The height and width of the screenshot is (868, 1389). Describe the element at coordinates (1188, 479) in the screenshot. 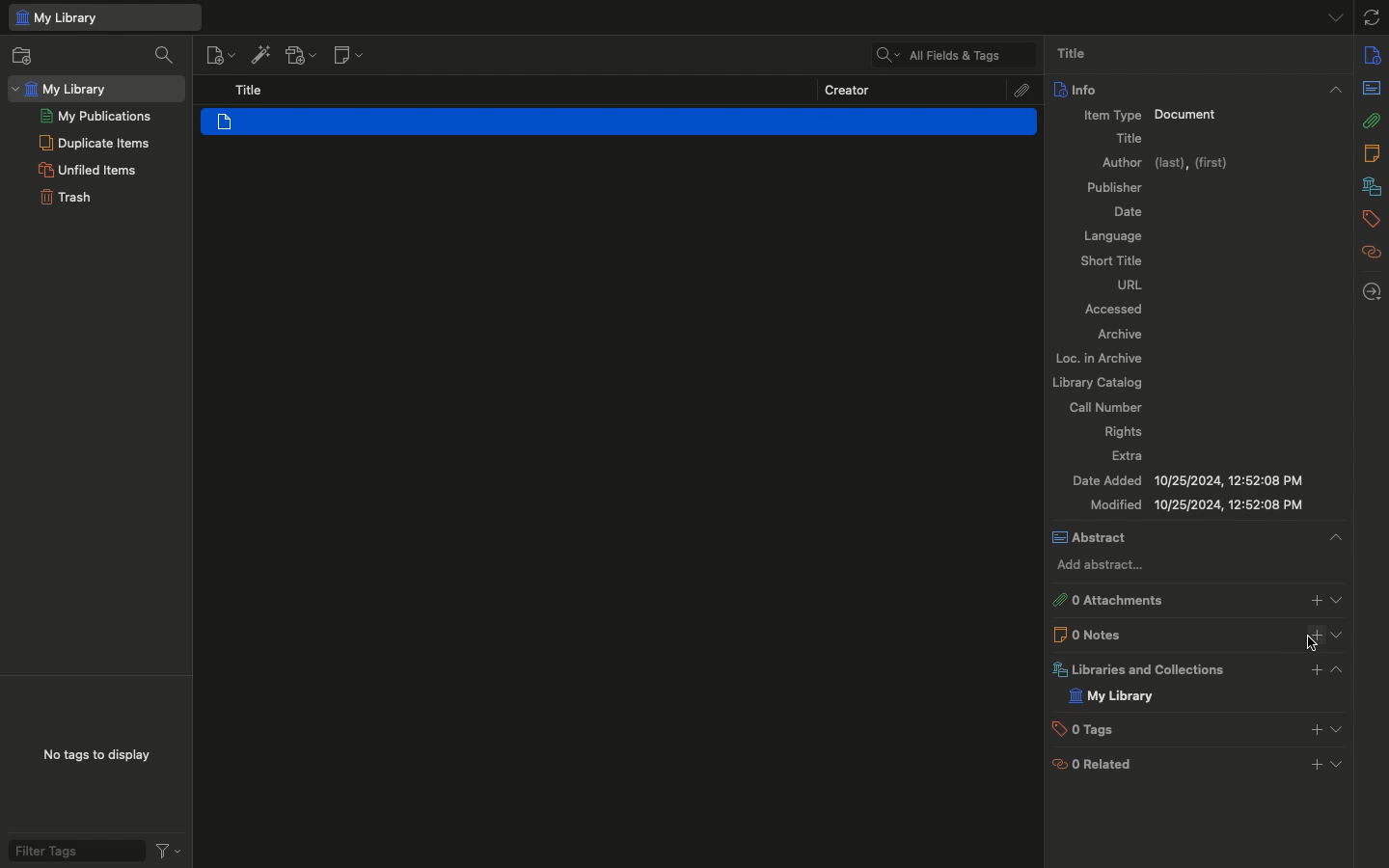

I see `Date modified` at that location.